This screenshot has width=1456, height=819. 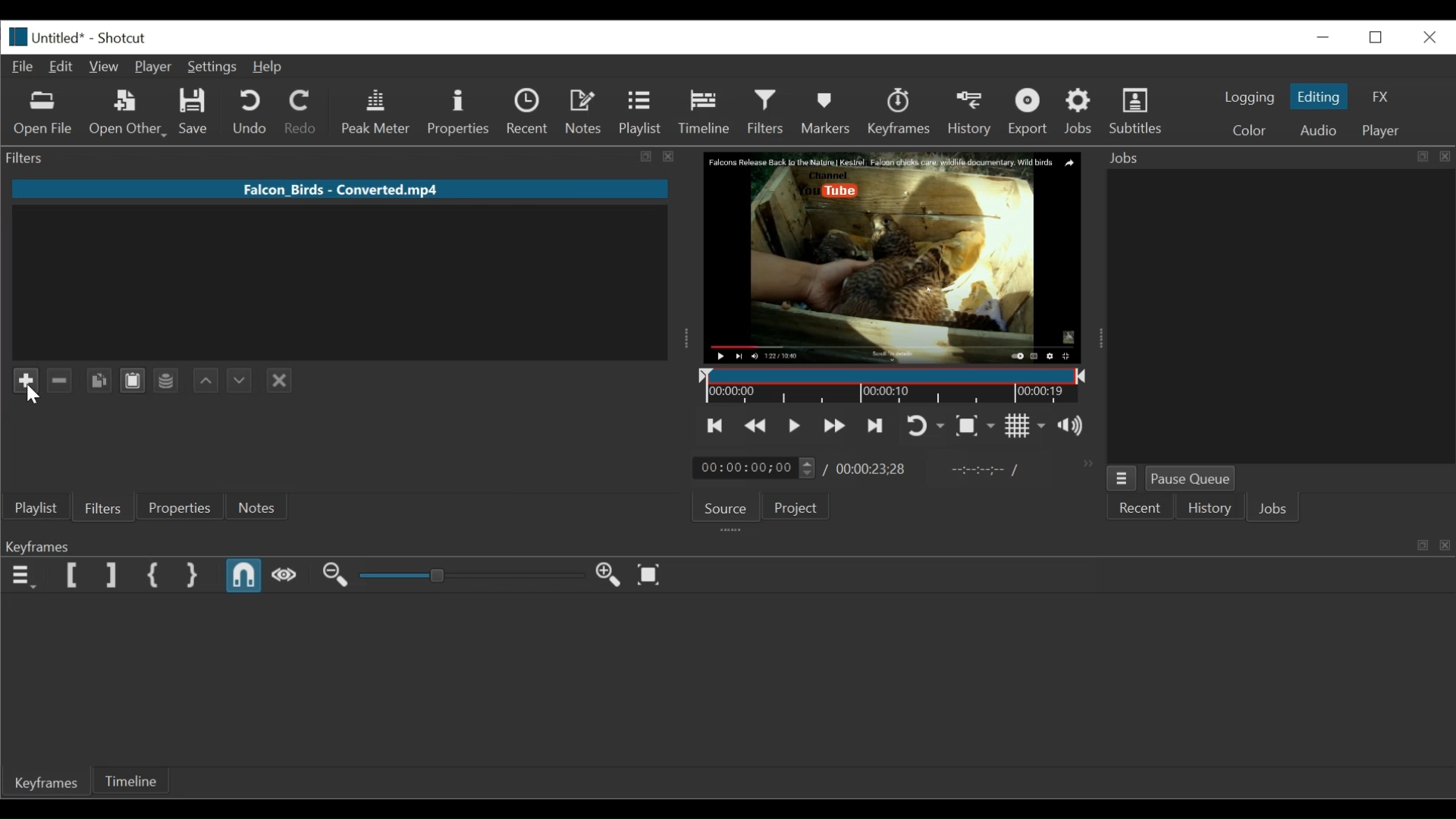 What do you see at coordinates (376, 113) in the screenshot?
I see `Peak Meter` at bounding box center [376, 113].